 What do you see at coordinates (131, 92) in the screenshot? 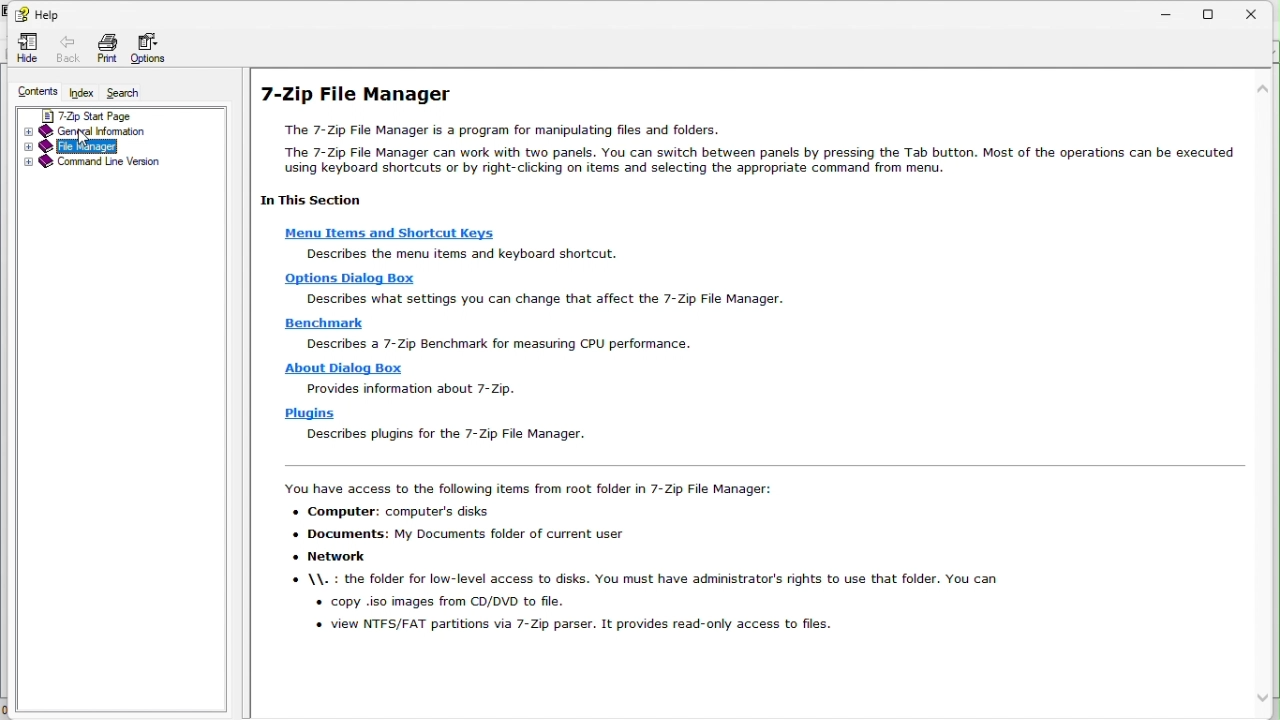
I see `Search search` at bounding box center [131, 92].